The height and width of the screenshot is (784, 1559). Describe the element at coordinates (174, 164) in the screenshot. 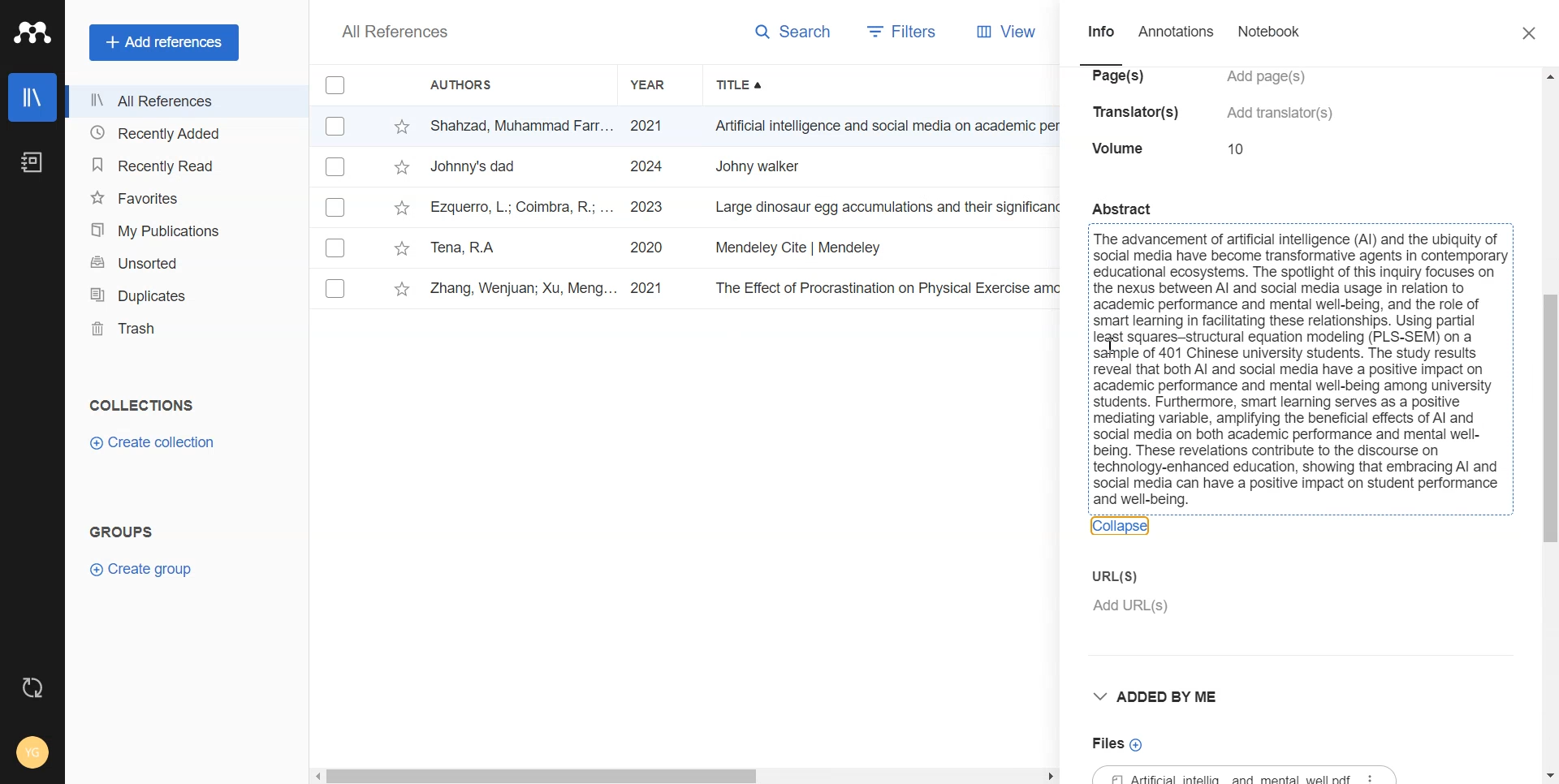

I see `Recently Read` at that location.